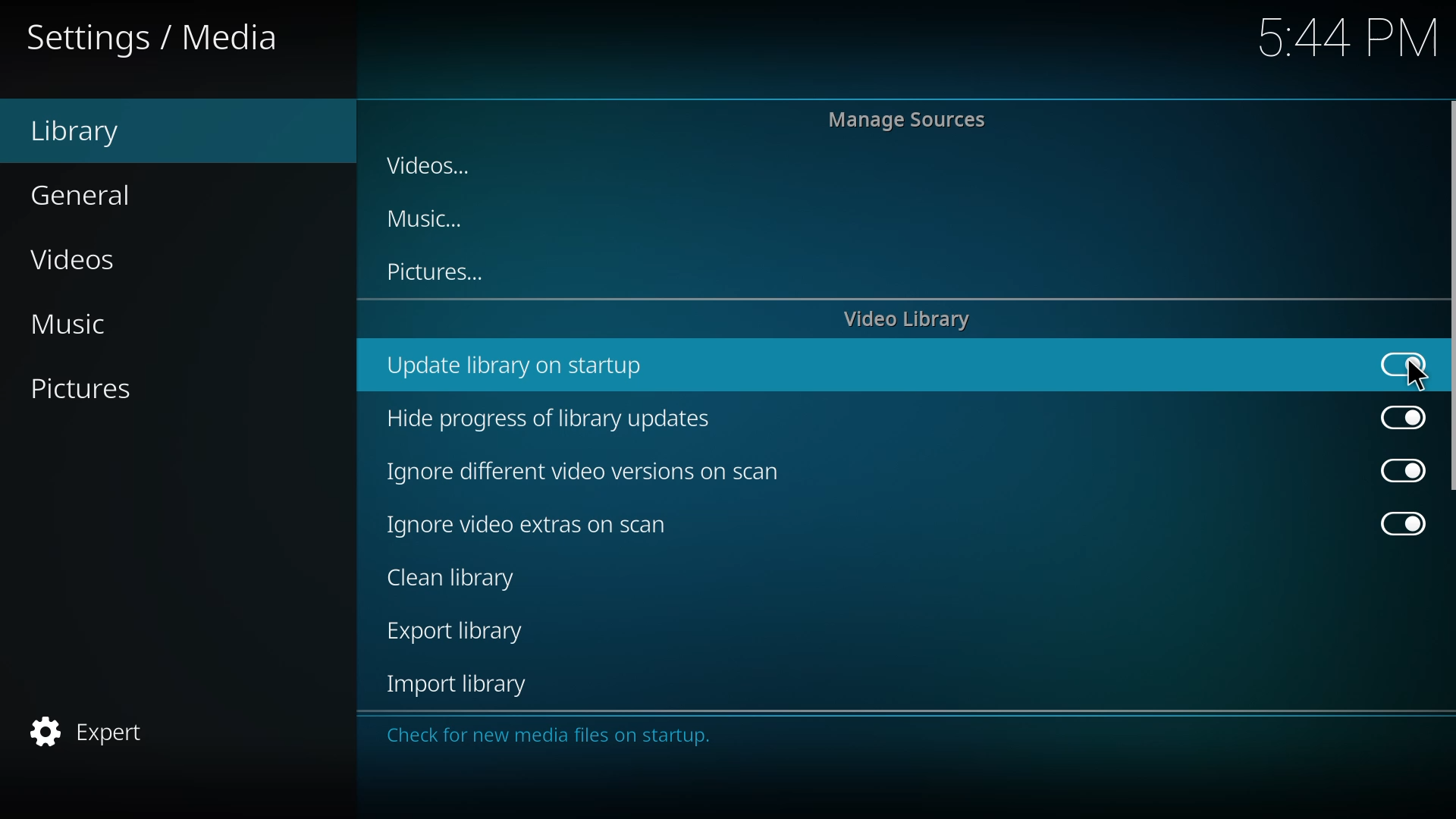  Describe the element at coordinates (593, 470) in the screenshot. I see `ignore different video versions on scan` at that location.